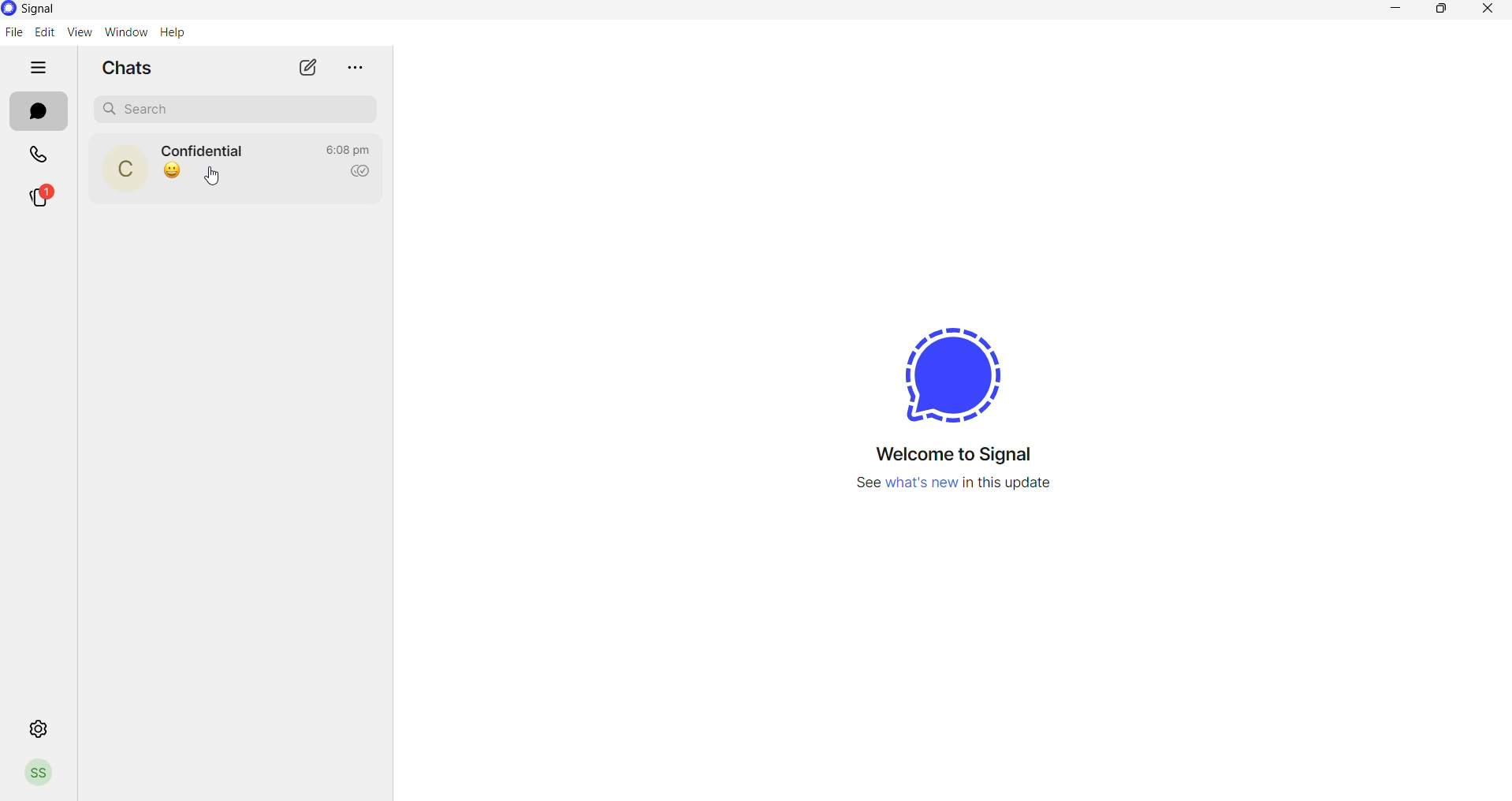  I want to click on hide, so click(42, 68).